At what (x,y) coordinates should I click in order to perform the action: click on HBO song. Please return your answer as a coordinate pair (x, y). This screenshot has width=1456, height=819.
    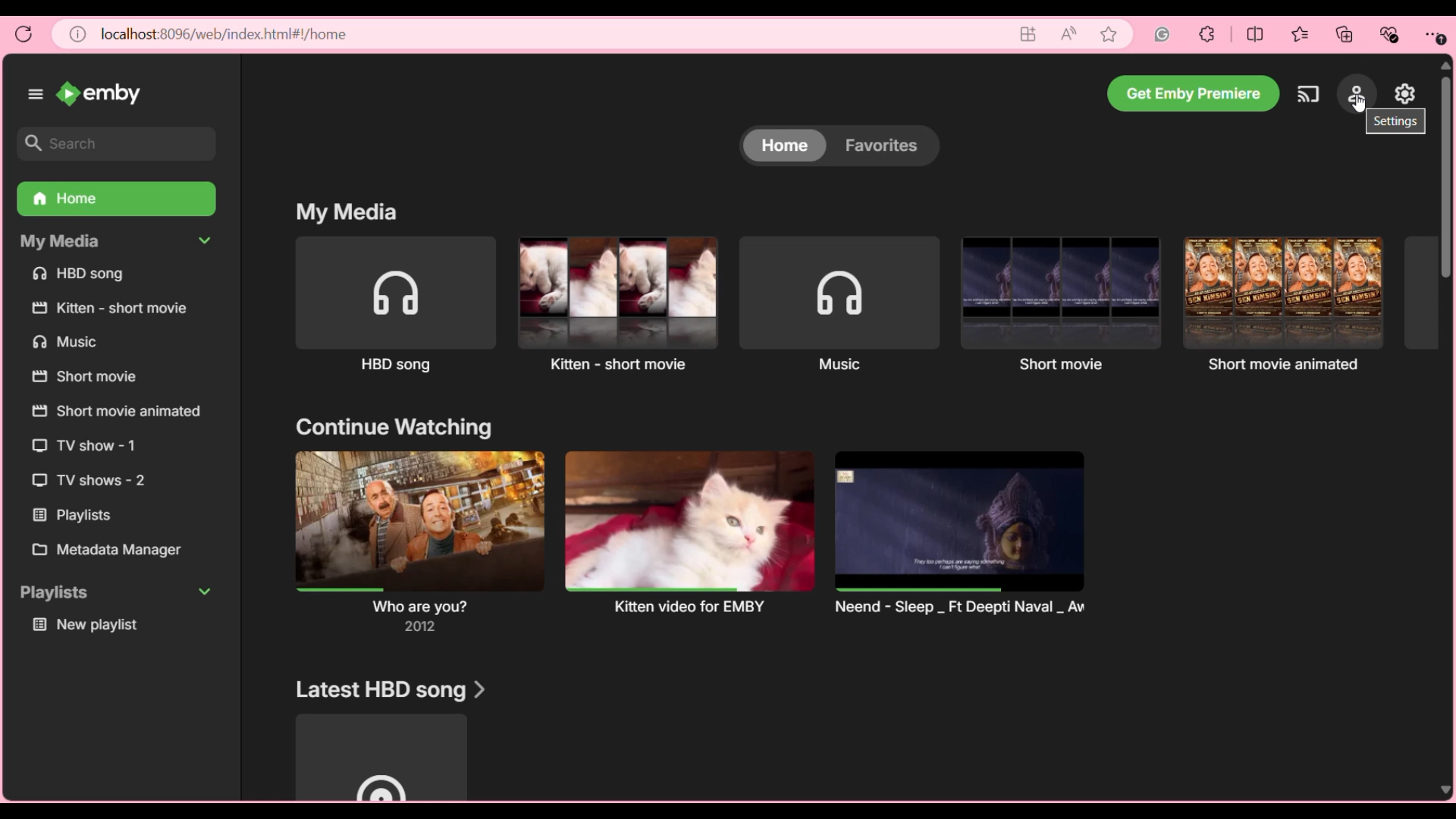
    Looking at the image, I should click on (384, 305).